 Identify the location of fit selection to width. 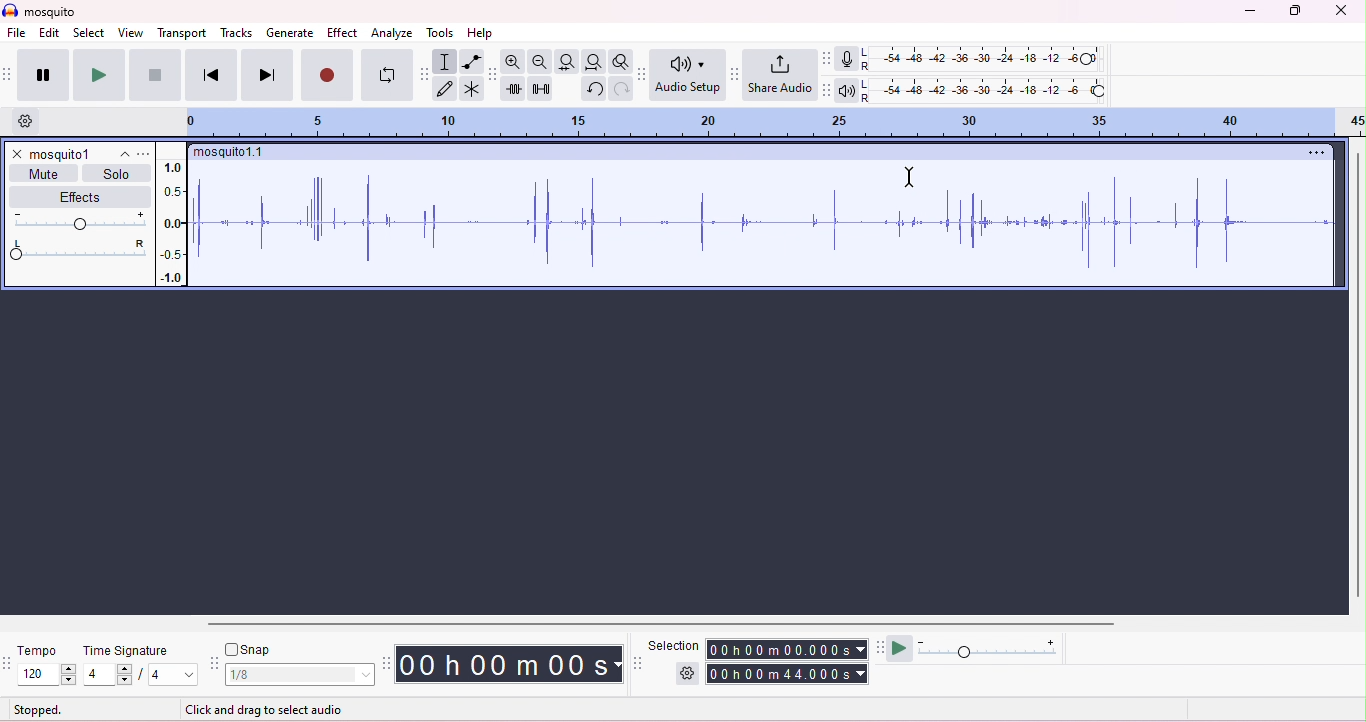
(565, 61).